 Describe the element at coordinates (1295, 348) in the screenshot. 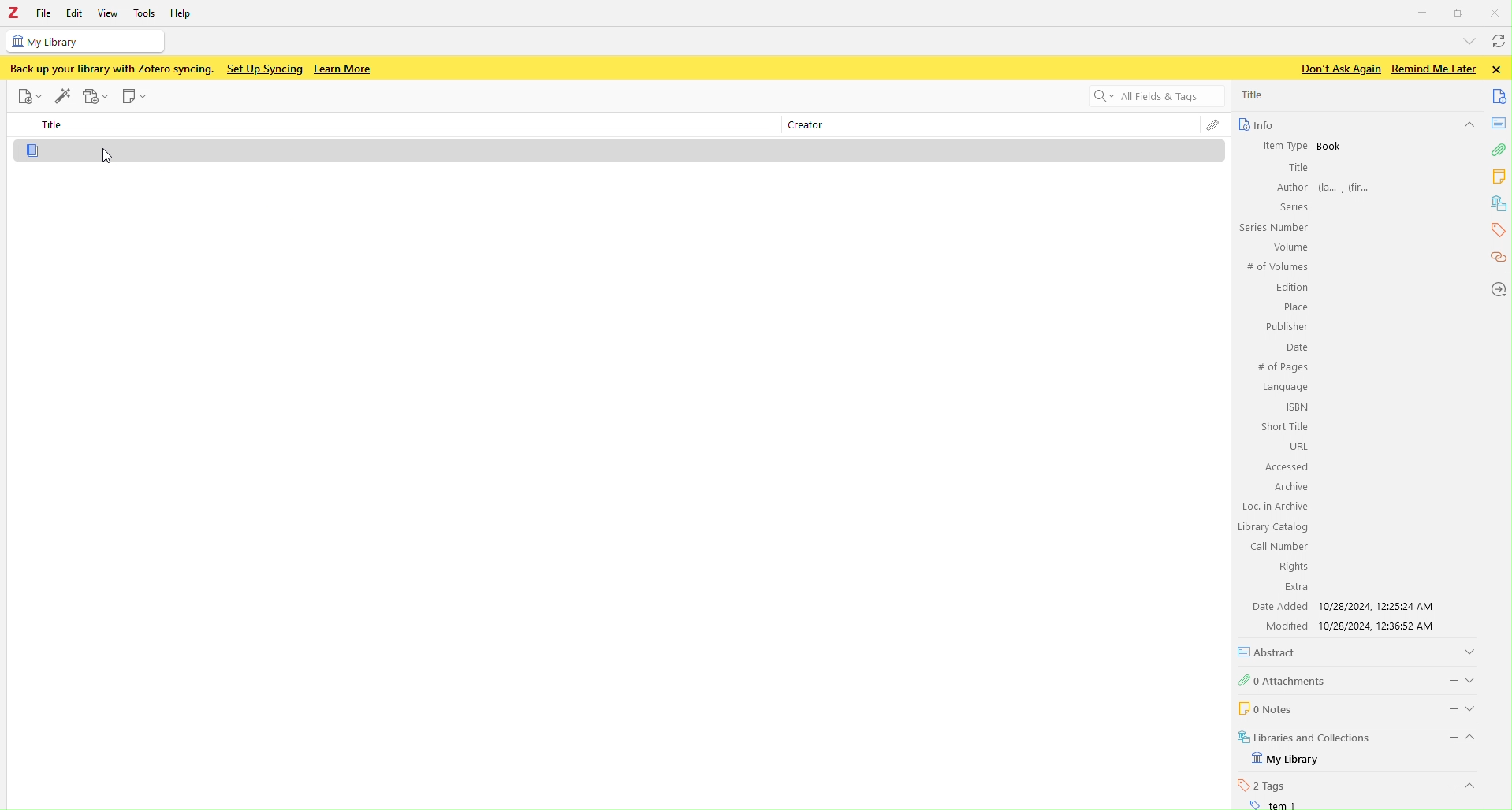

I see `Date` at that location.